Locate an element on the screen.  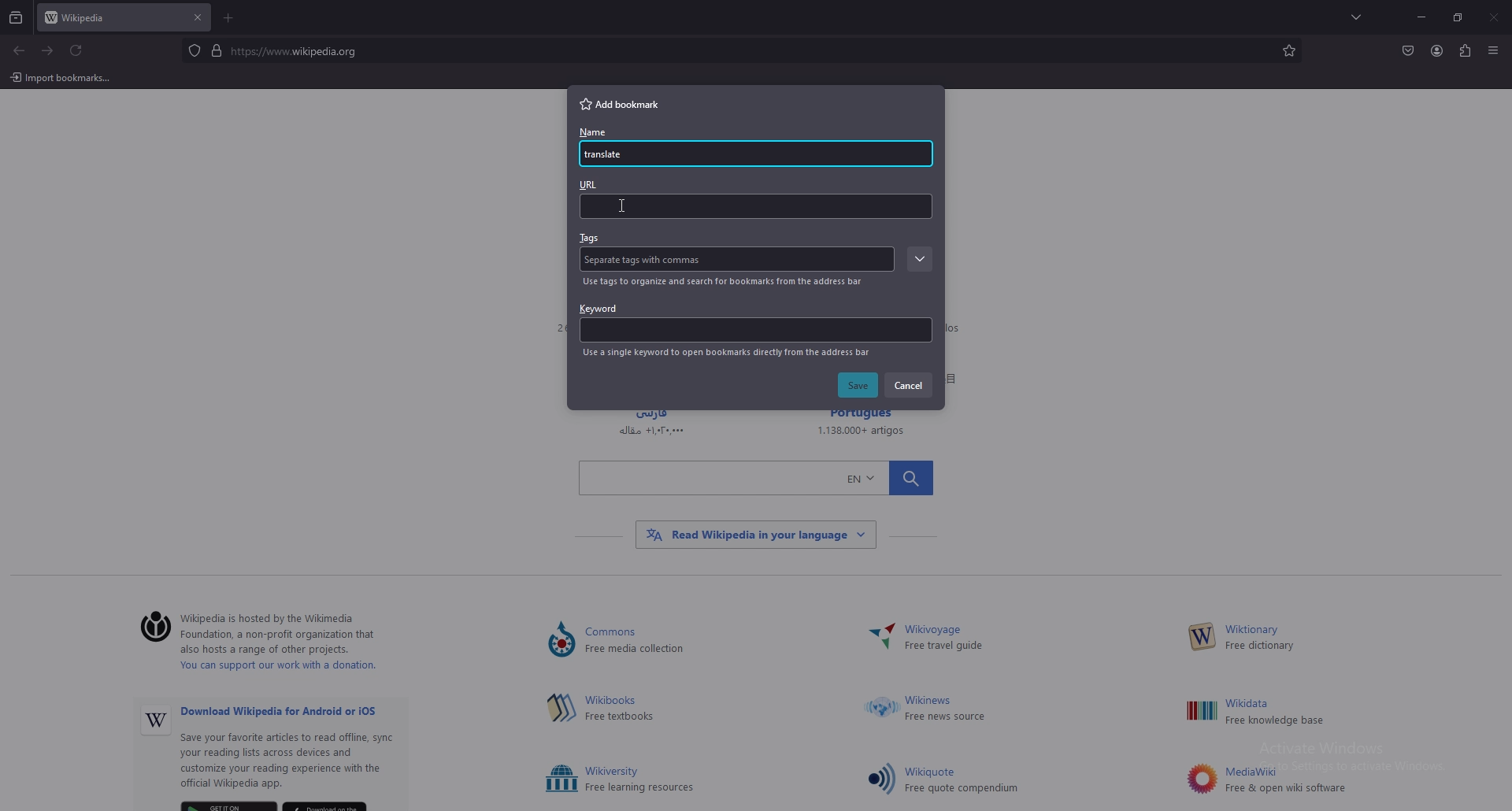
 is located at coordinates (1493, 53).